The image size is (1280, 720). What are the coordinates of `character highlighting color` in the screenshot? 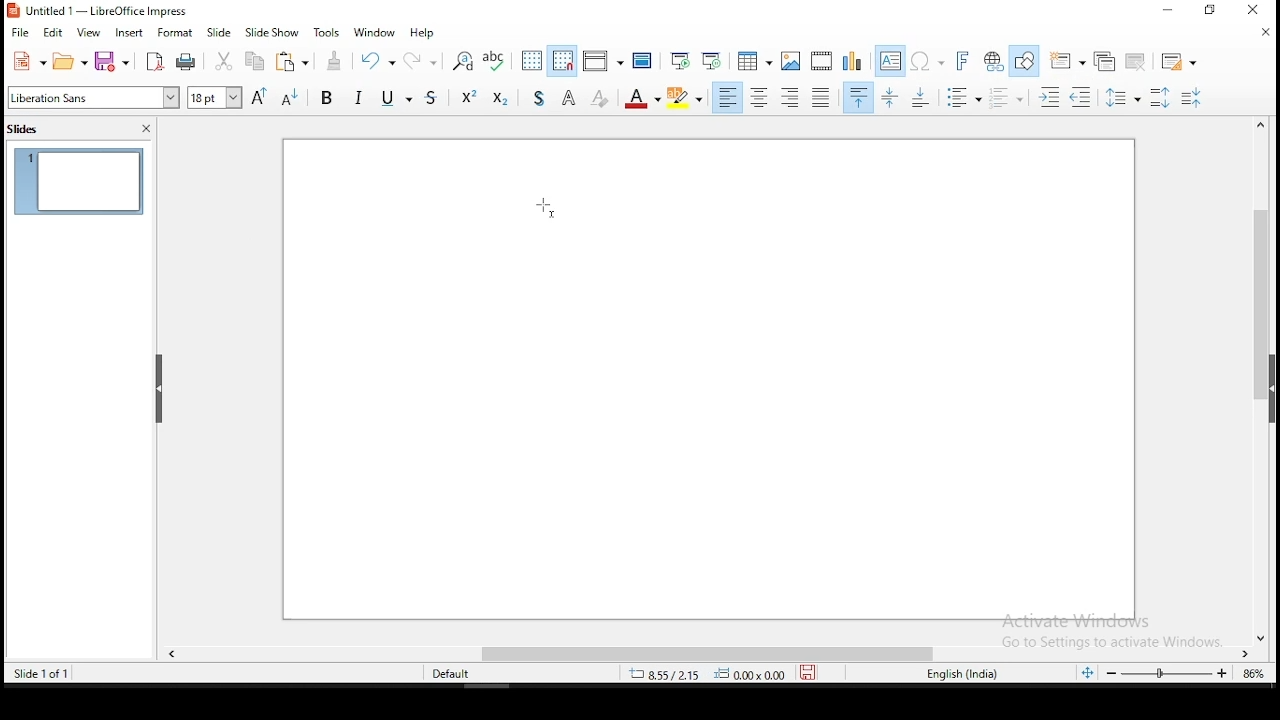 It's located at (683, 97).